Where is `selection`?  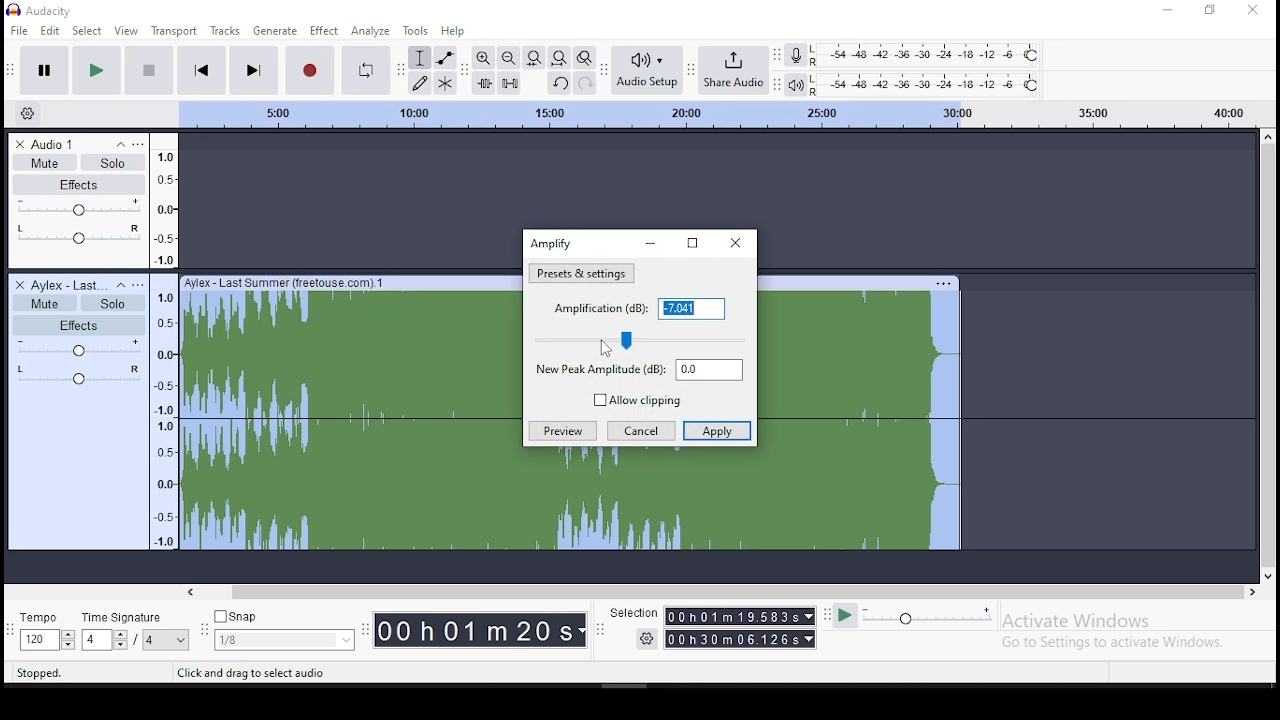 selection is located at coordinates (633, 614).